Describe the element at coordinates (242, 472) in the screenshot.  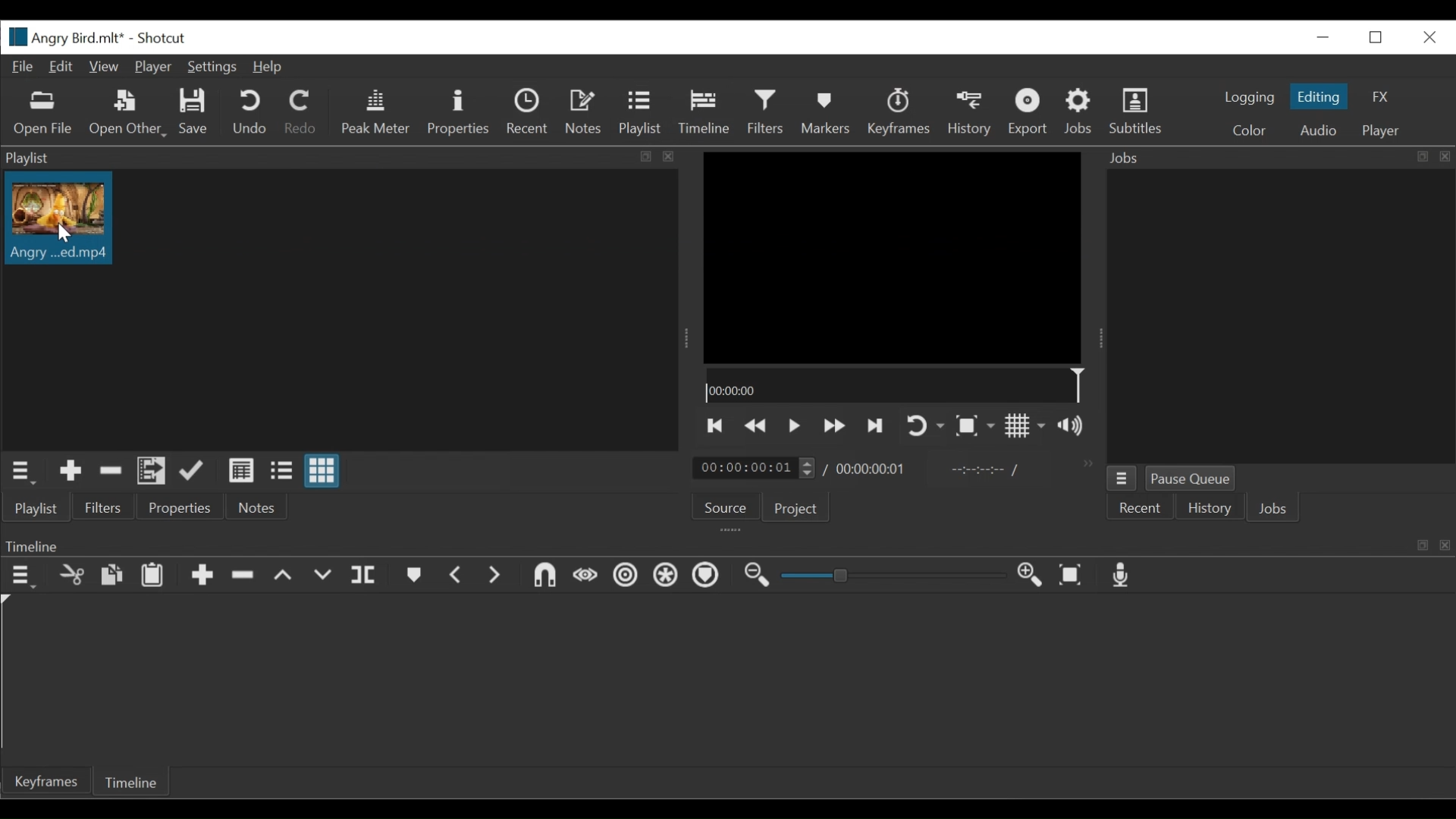
I see `View as detail` at that location.